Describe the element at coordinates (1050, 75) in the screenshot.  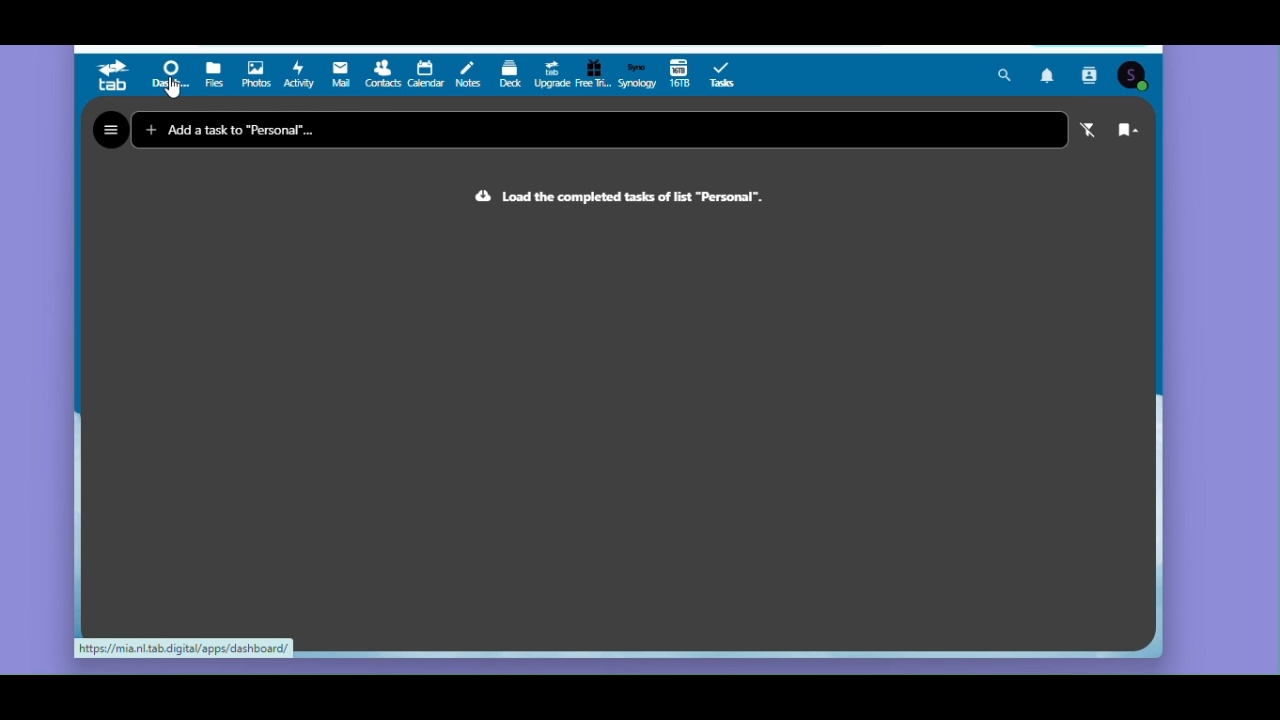
I see `Notifications` at that location.